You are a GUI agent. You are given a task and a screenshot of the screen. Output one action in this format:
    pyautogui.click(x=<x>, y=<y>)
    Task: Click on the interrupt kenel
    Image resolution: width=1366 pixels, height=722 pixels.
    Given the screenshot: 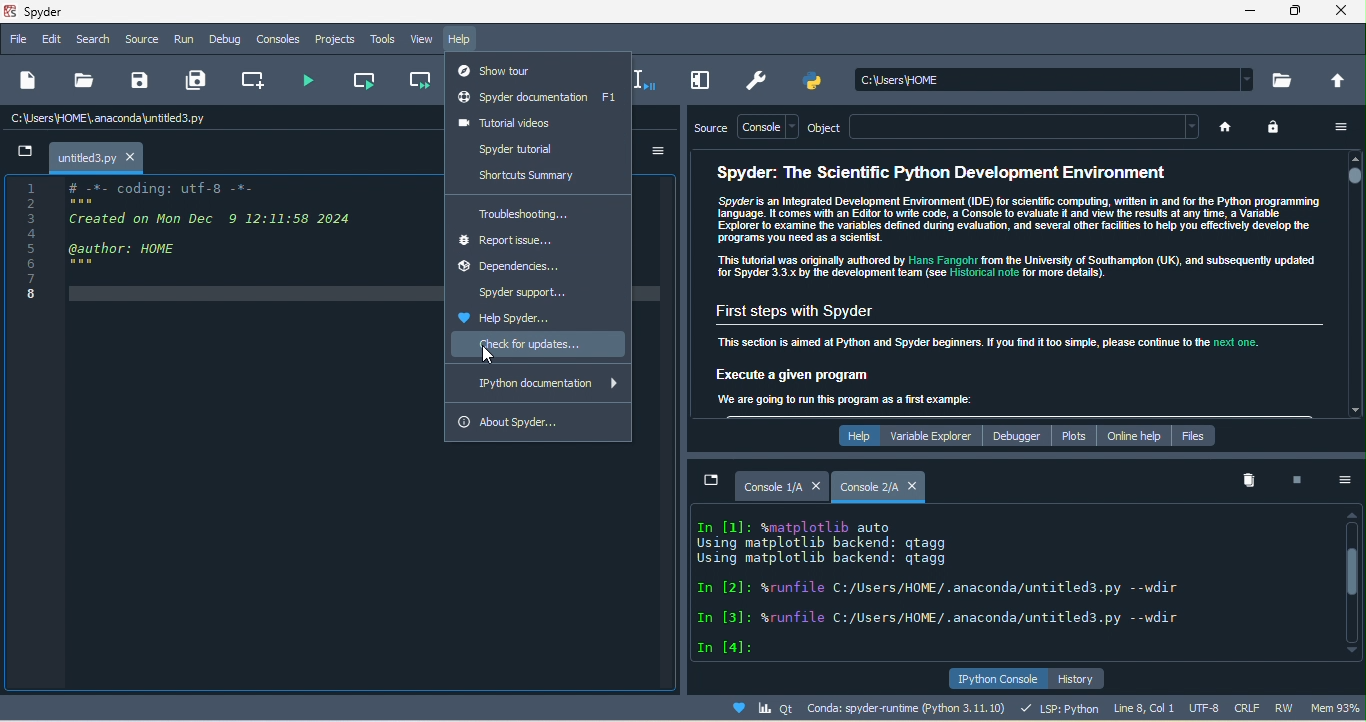 What is the action you would take?
    pyautogui.click(x=1295, y=478)
    